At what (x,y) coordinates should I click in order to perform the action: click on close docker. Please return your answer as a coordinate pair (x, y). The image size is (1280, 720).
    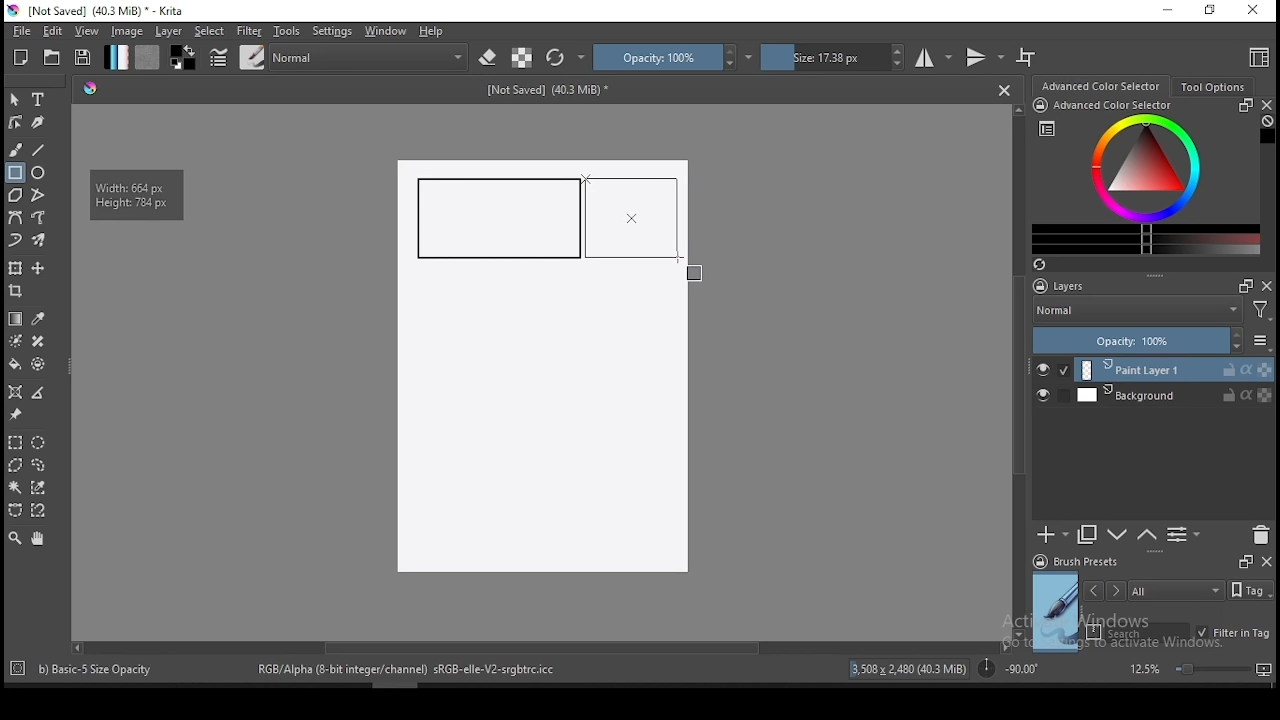
    Looking at the image, I should click on (1266, 105).